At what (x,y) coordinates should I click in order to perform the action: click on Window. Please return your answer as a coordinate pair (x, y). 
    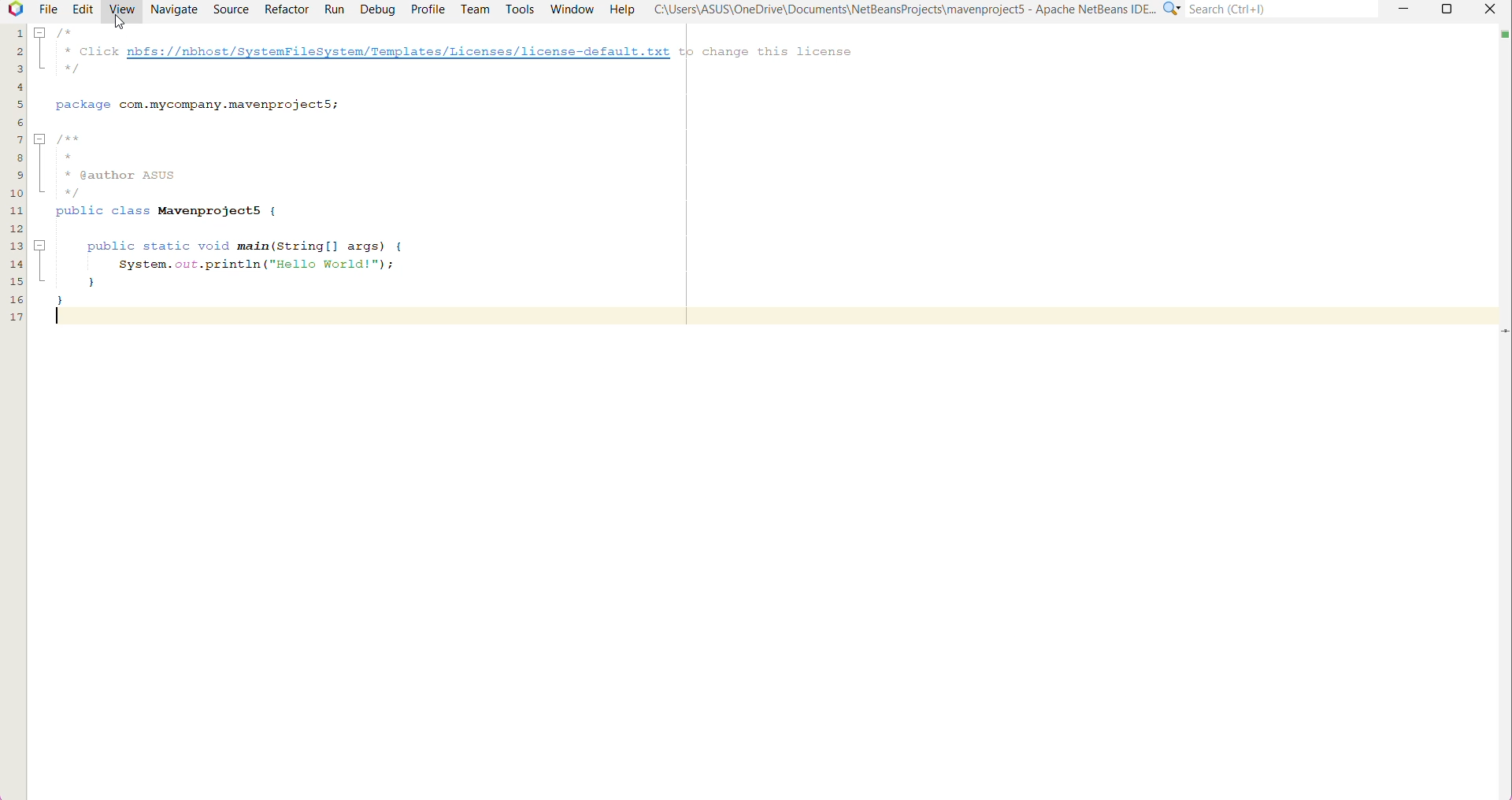
    Looking at the image, I should click on (571, 9).